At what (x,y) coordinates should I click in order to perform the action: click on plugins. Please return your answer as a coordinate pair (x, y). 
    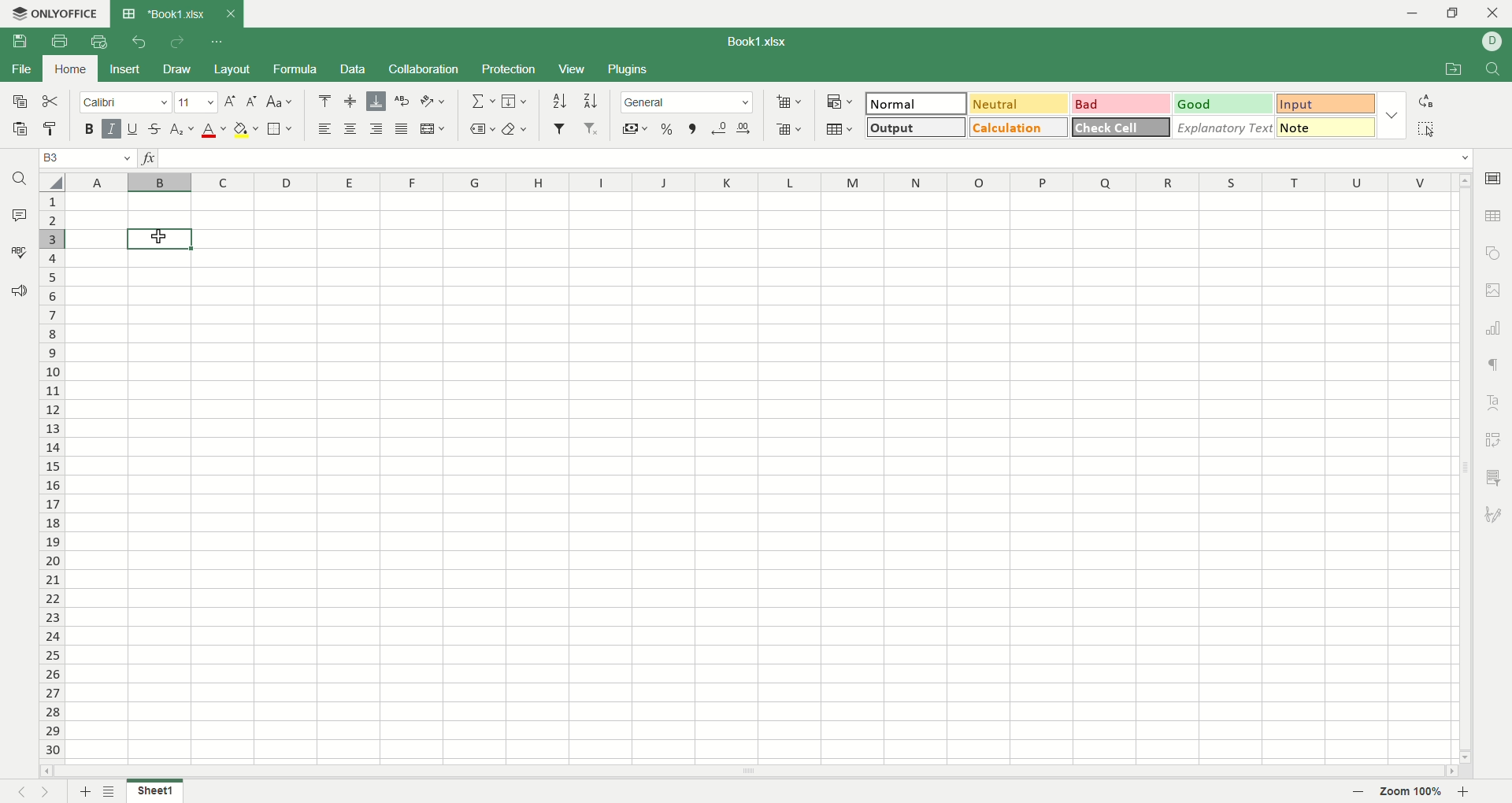
    Looking at the image, I should click on (628, 70).